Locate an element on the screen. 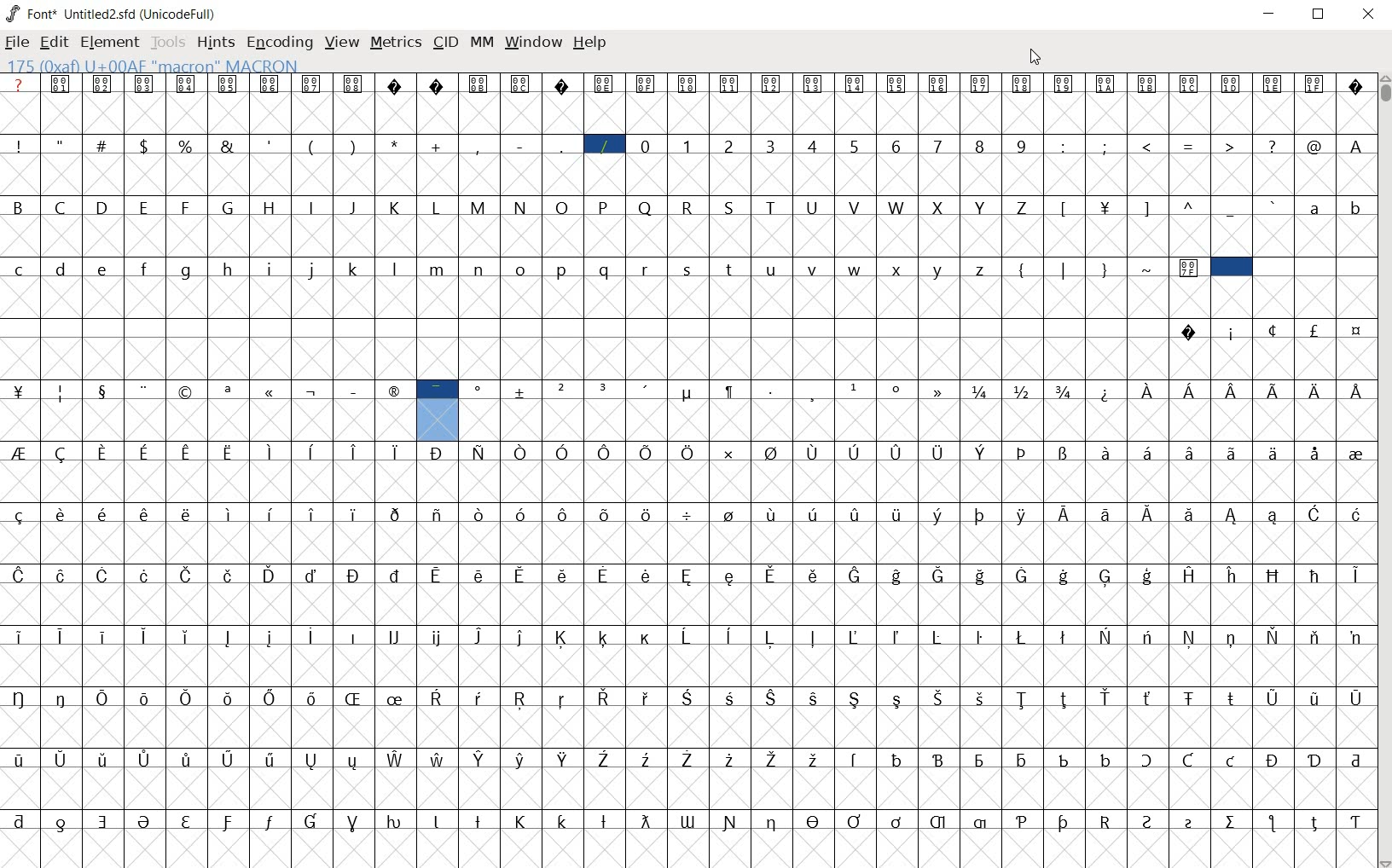 Image resolution: width=1392 pixels, height=868 pixels. WINDOW is located at coordinates (531, 43).